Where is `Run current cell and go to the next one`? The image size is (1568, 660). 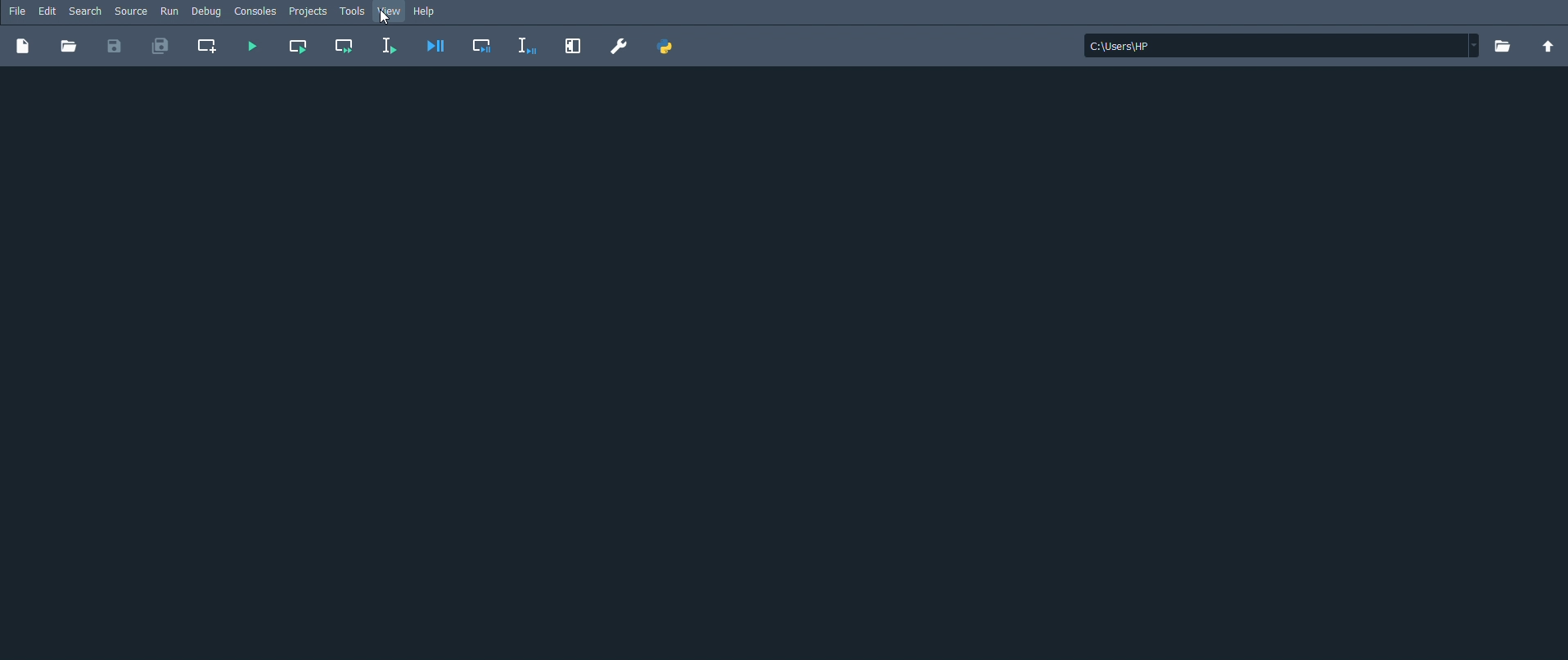 Run current cell and go to the next one is located at coordinates (345, 47).